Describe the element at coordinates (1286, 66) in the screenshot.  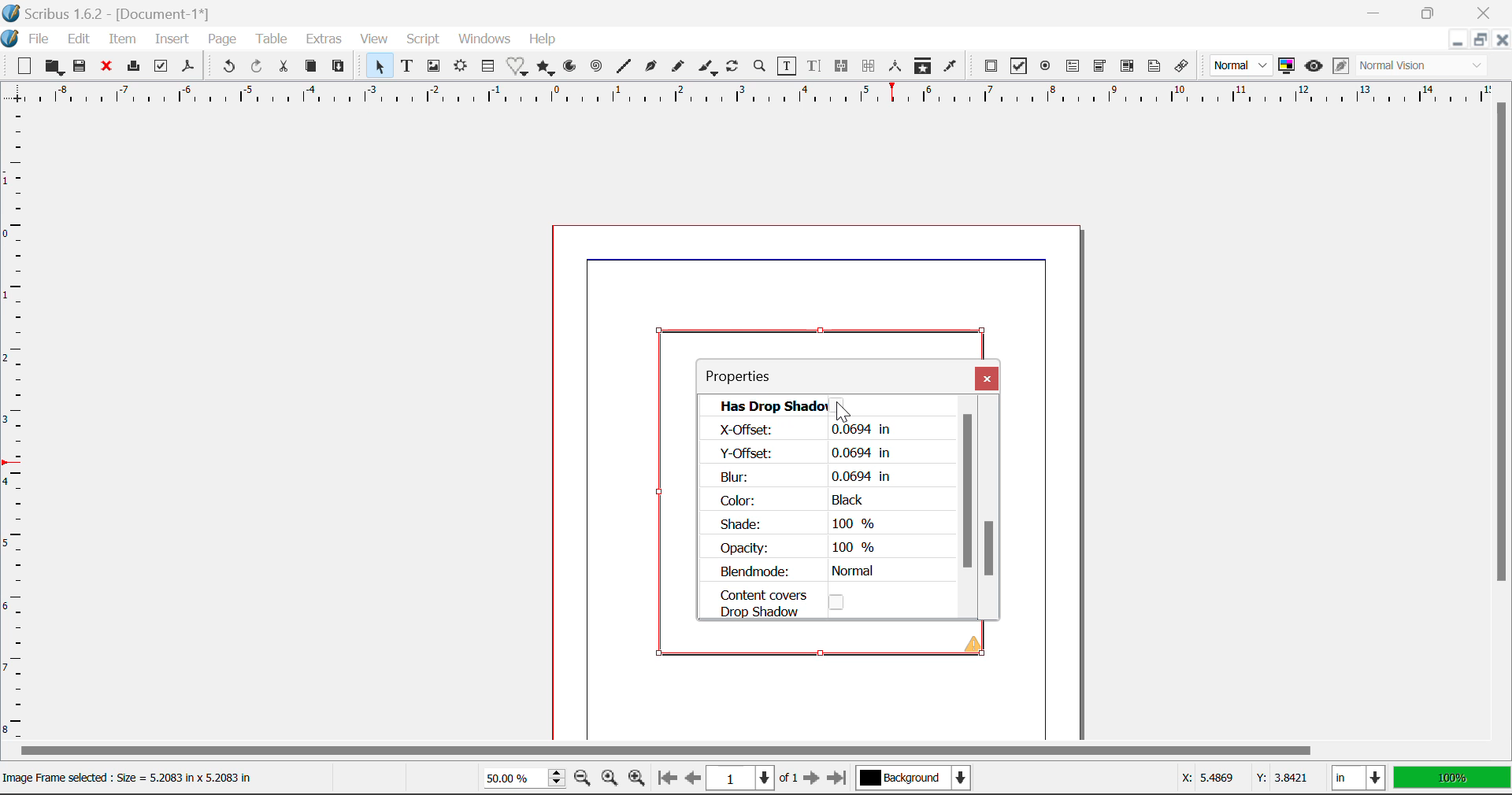
I see `Toggle Color Management` at that location.